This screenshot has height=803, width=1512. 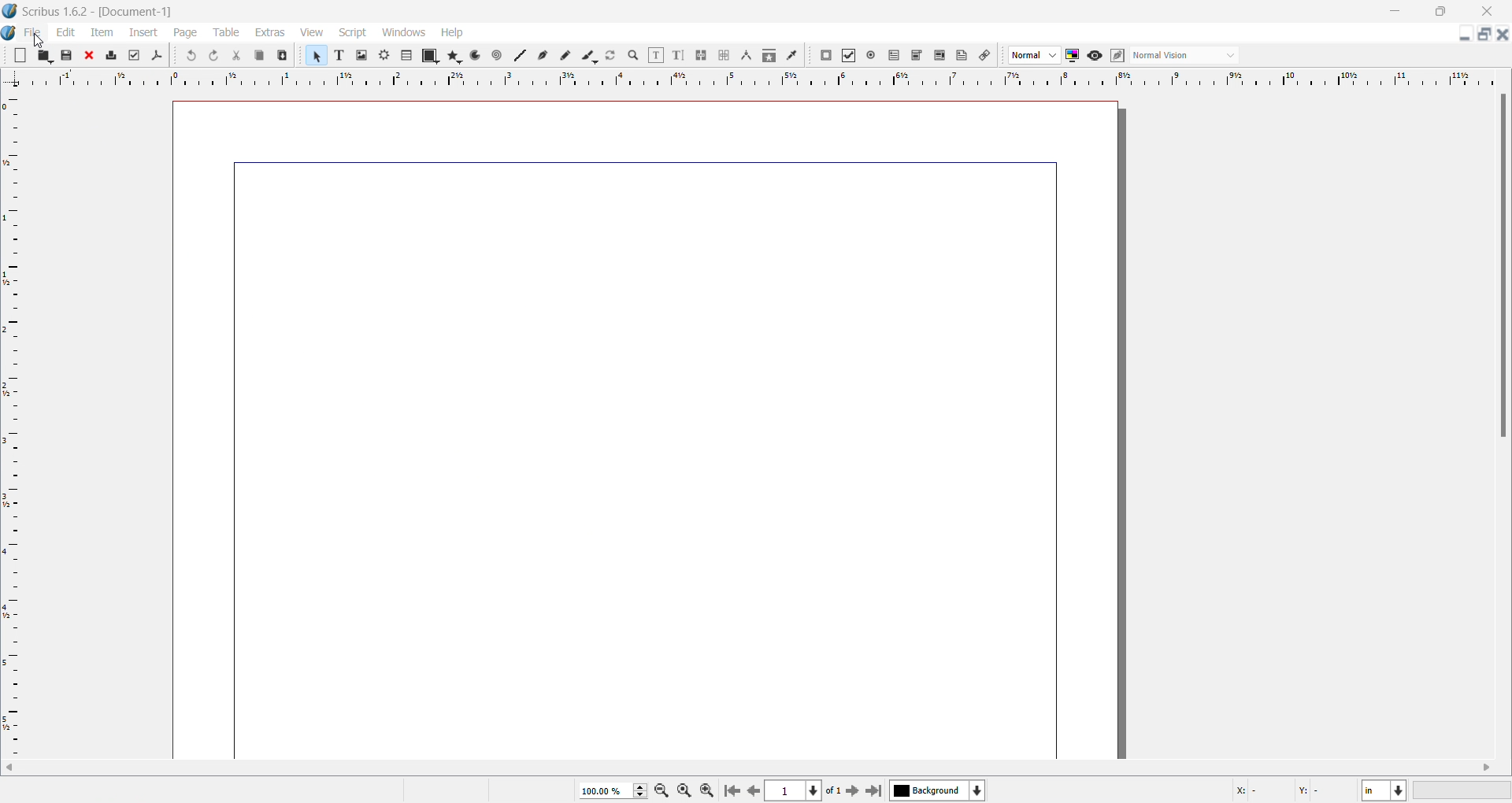 I want to click on , so click(x=137, y=56).